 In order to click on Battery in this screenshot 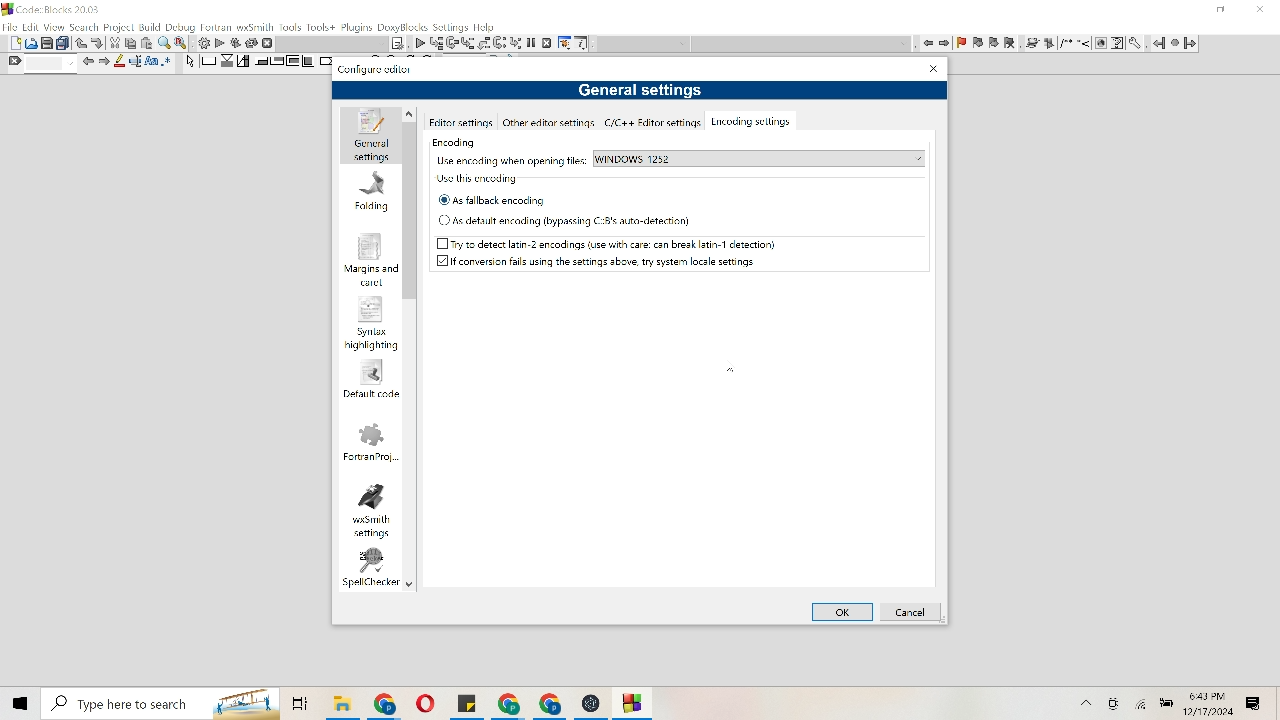, I will do `click(1167, 702)`.